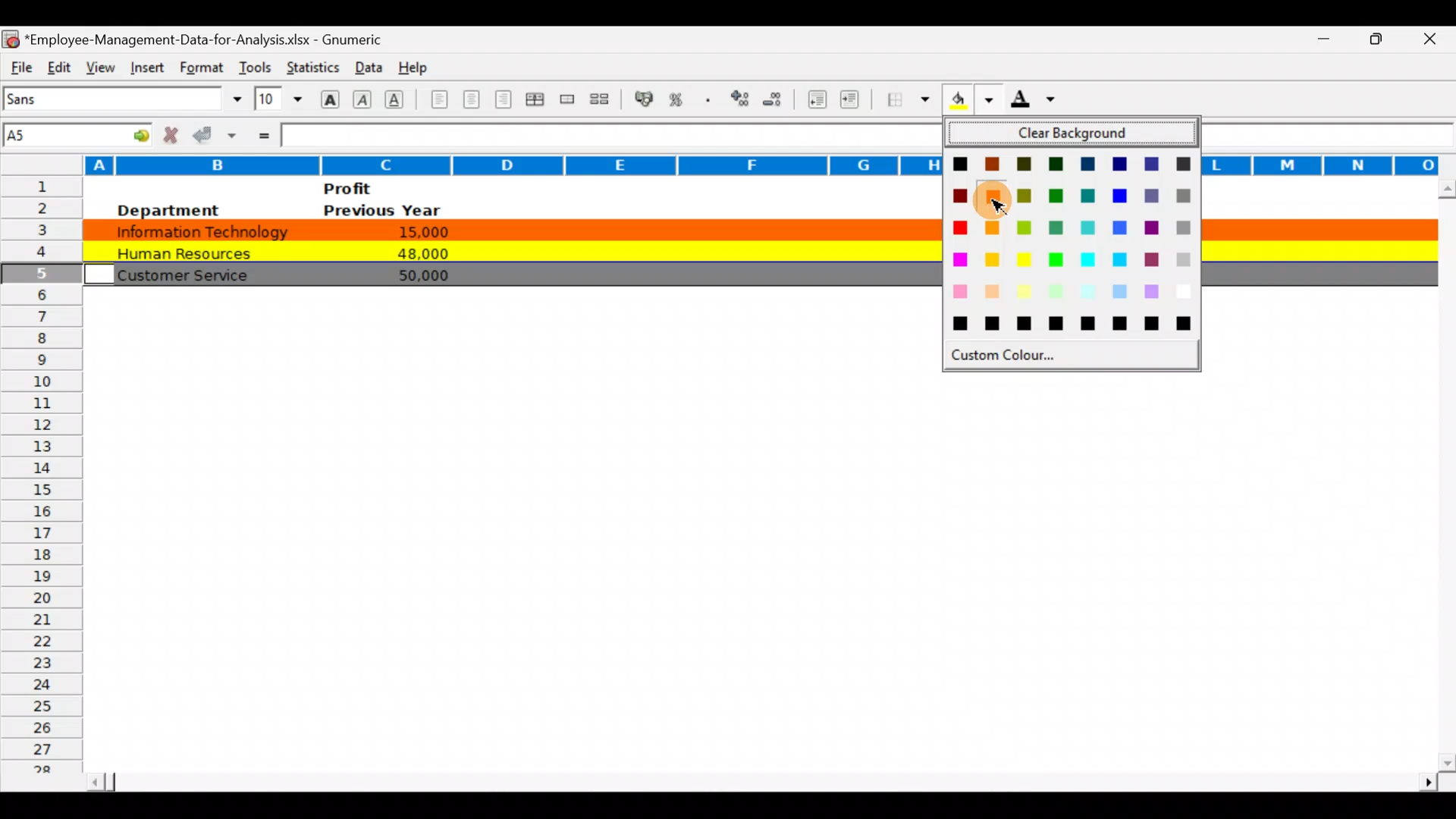 The width and height of the screenshot is (1456, 819). What do you see at coordinates (174, 134) in the screenshot?
I see `Cancel change` at bounding box center [174, 134].